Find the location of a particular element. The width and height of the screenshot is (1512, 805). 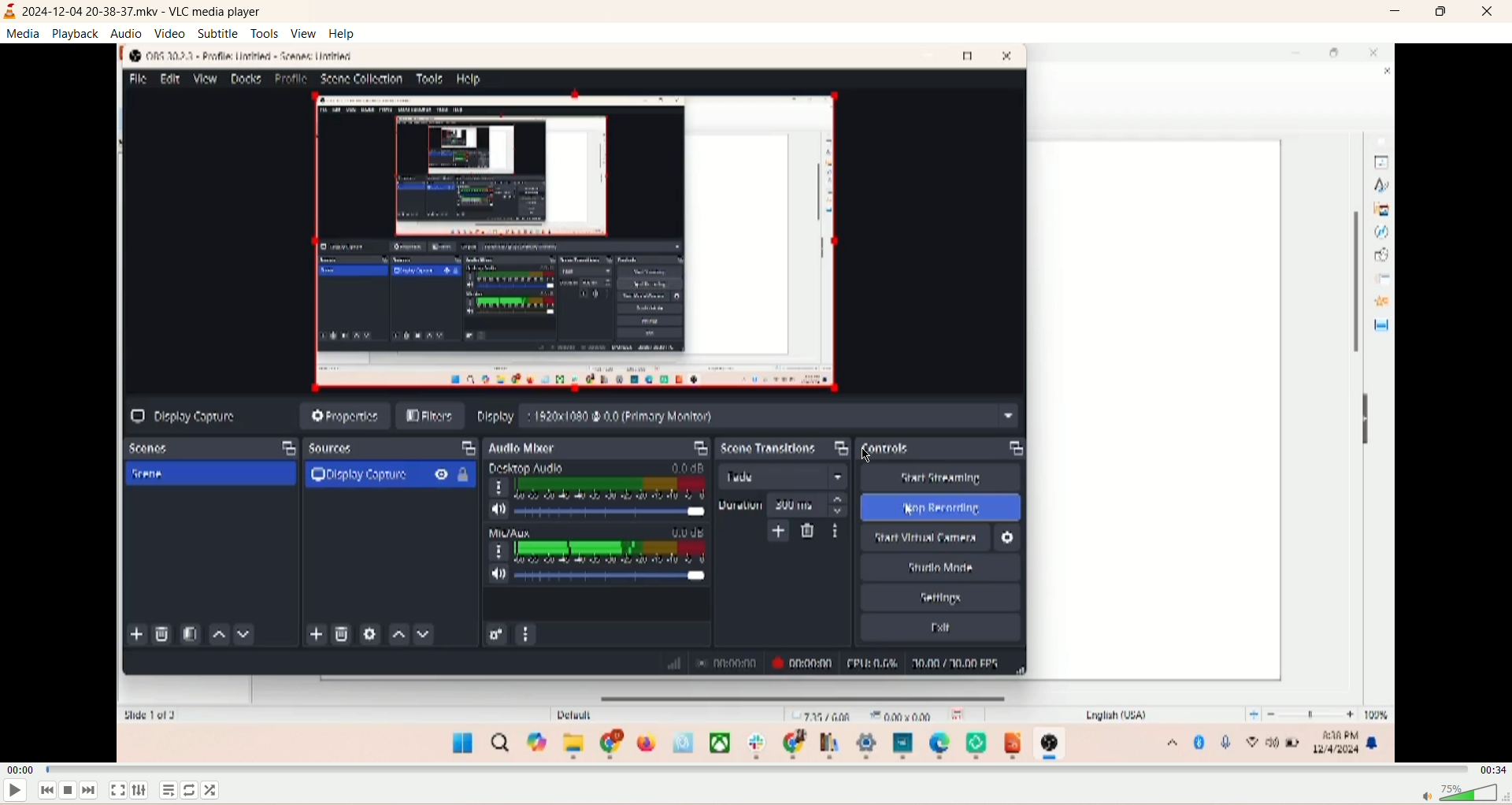

maximize is located at coordinates (1440, 14).